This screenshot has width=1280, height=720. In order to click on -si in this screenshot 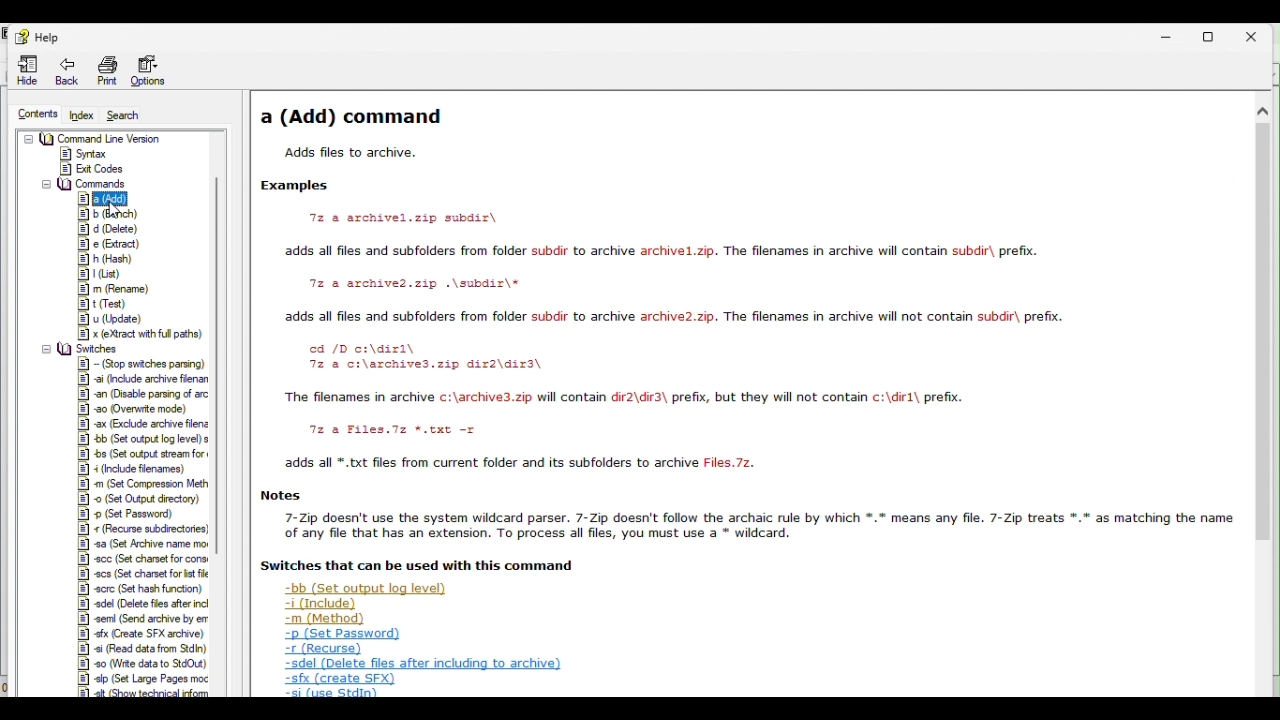, I will do `click(334, 693)`.